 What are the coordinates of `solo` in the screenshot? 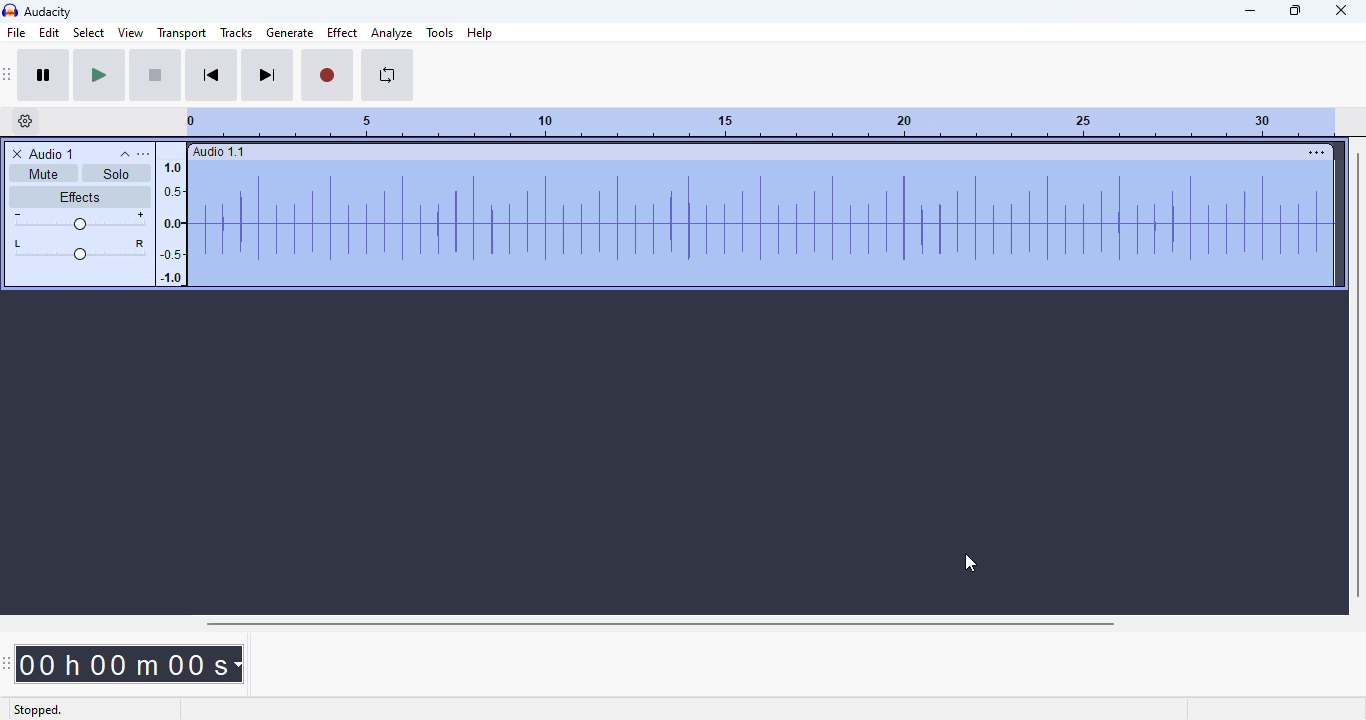 It's located at (117, 173).